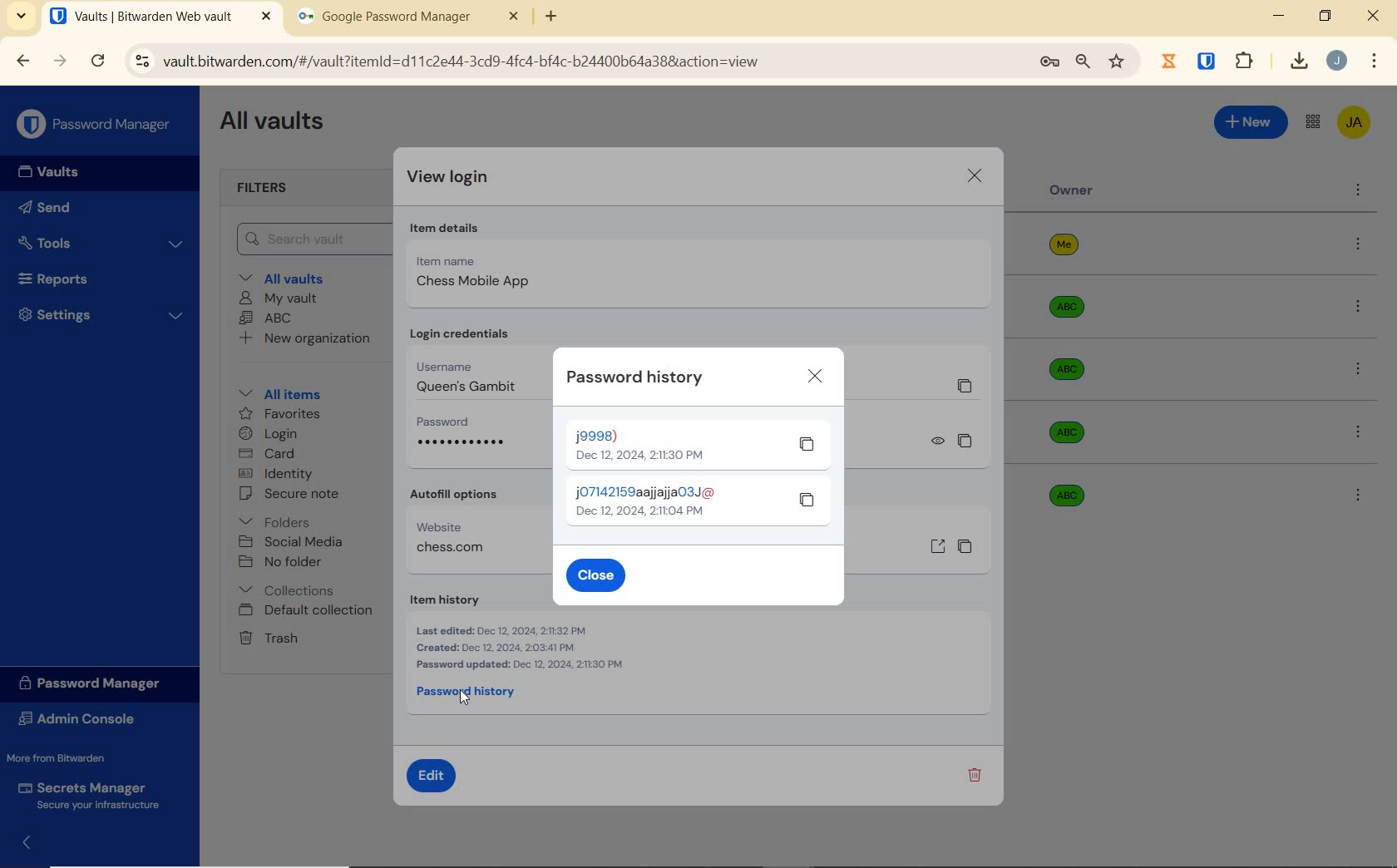  What do you see at coordinates (22, 62) in the screenshot?
I see `backward` at bounding box center [22, 62].